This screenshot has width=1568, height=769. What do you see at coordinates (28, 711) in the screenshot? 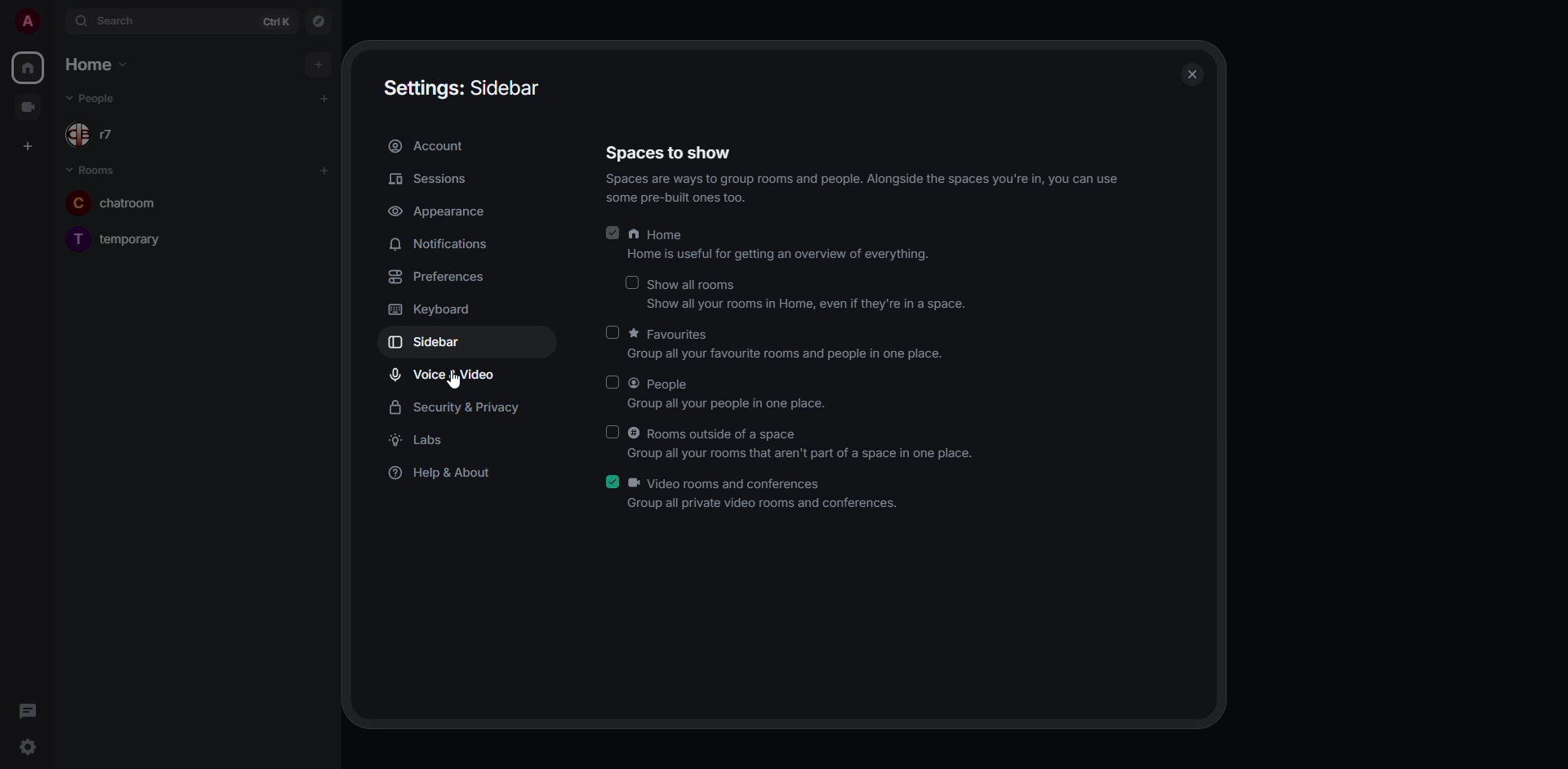
I see `threads` at bounding box center [28, 711].